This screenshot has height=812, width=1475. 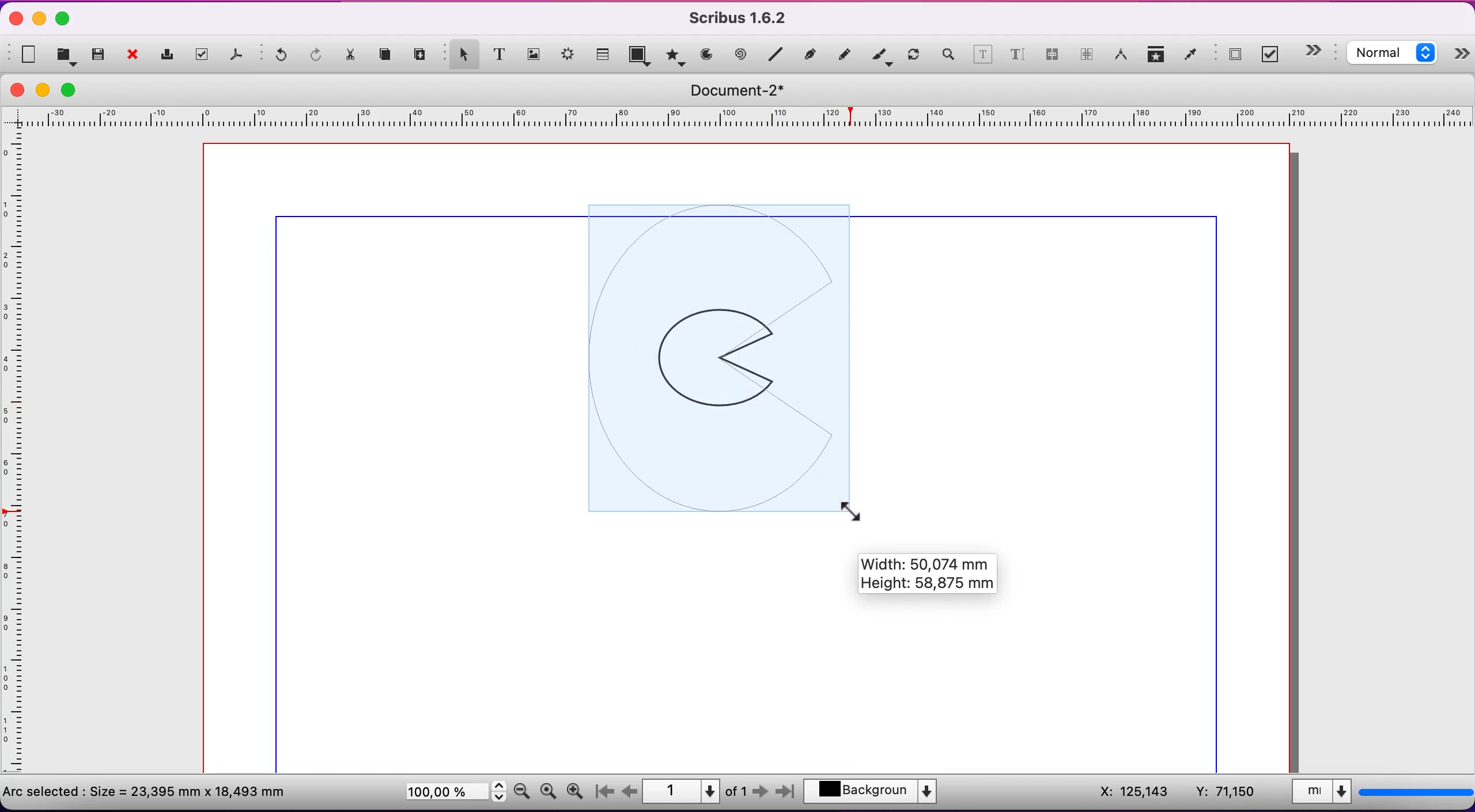 I want to click on line, so click(x=776, y=55).